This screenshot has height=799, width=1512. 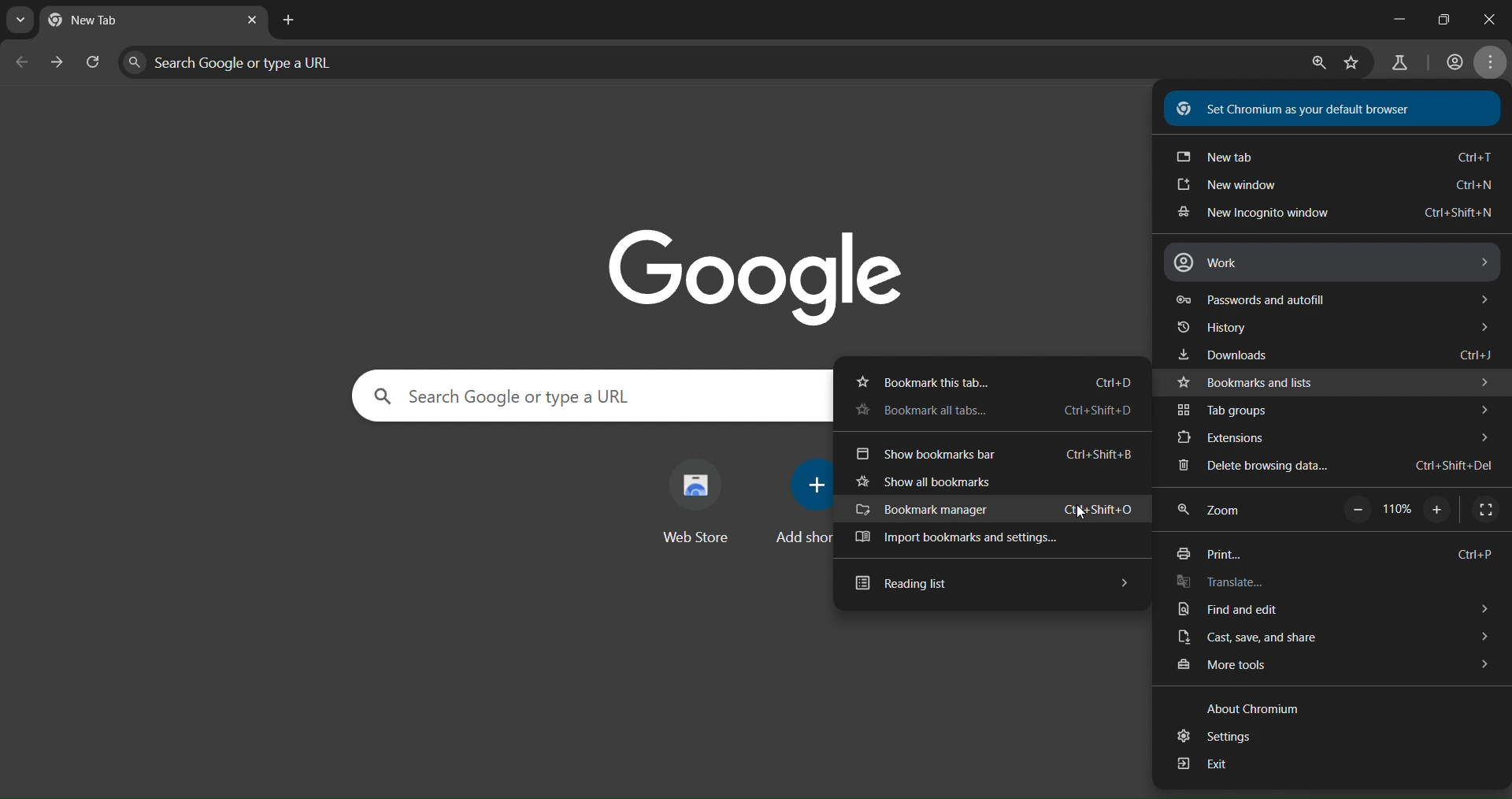 What do you see at coordinates (100, 21) in the screenshot?
I see `current page` at bounding box center [100, 21].